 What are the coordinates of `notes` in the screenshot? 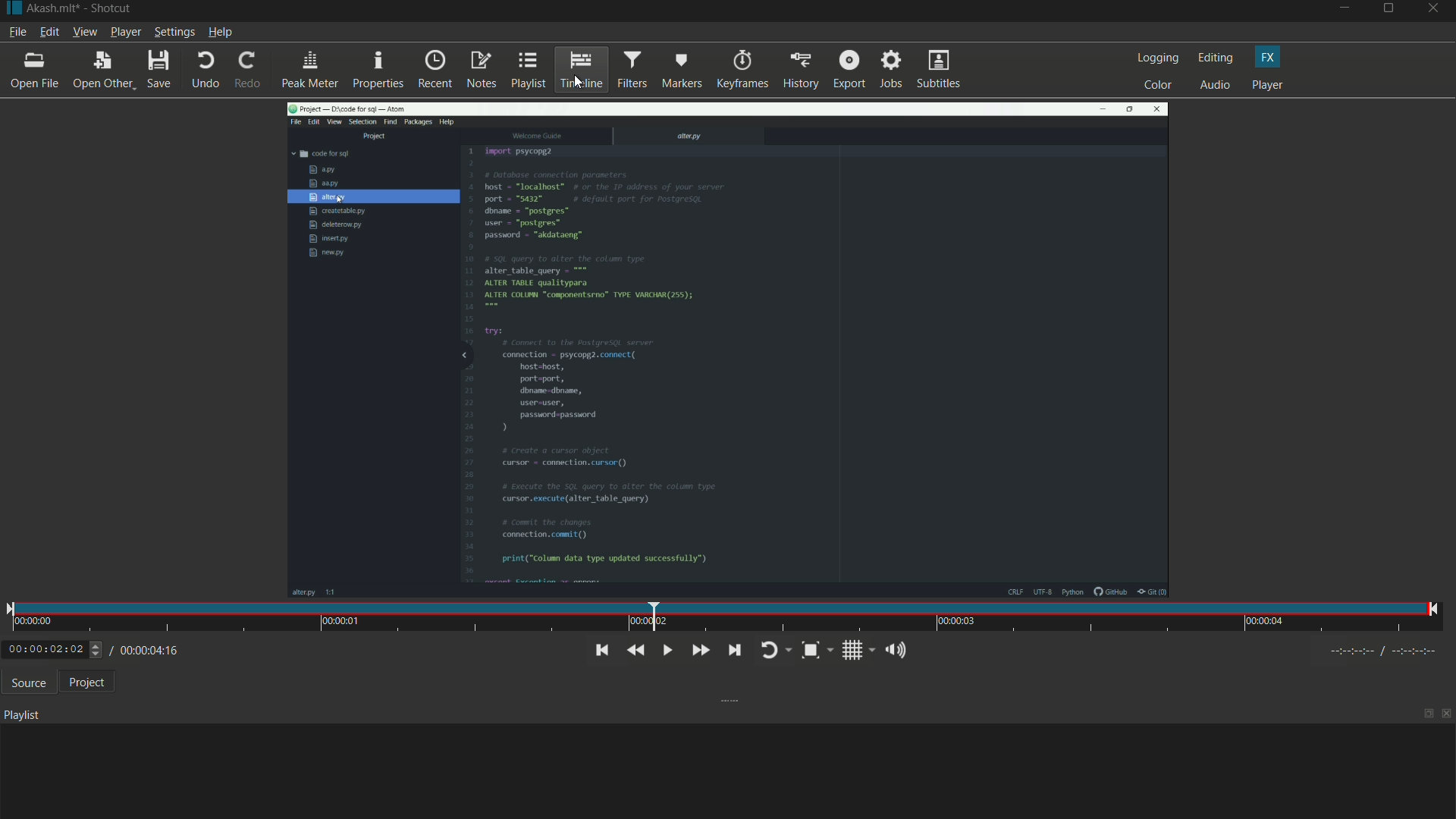 It's located at (482, 71).